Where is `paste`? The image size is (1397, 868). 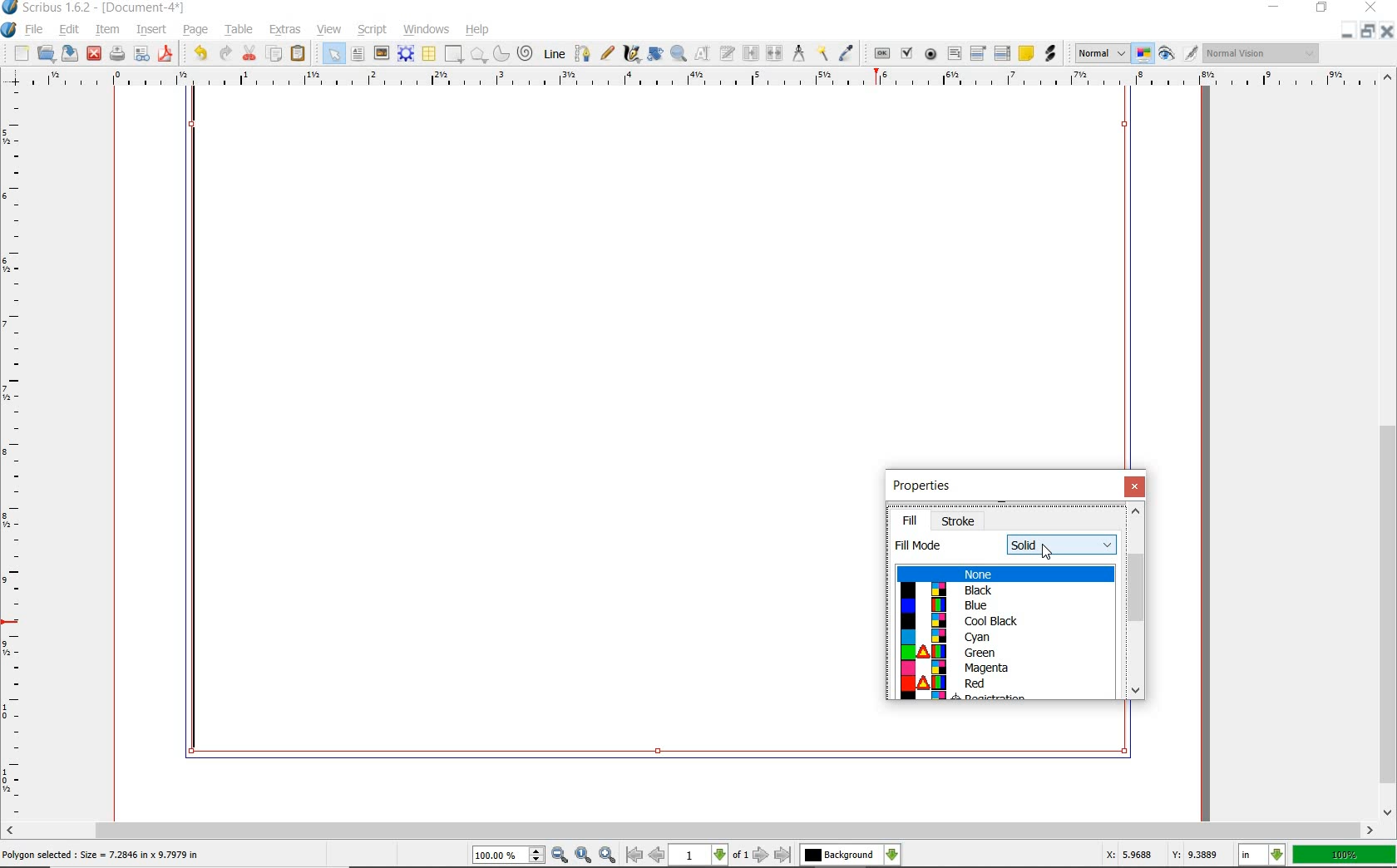 paste is located at coordinates (298, 54).